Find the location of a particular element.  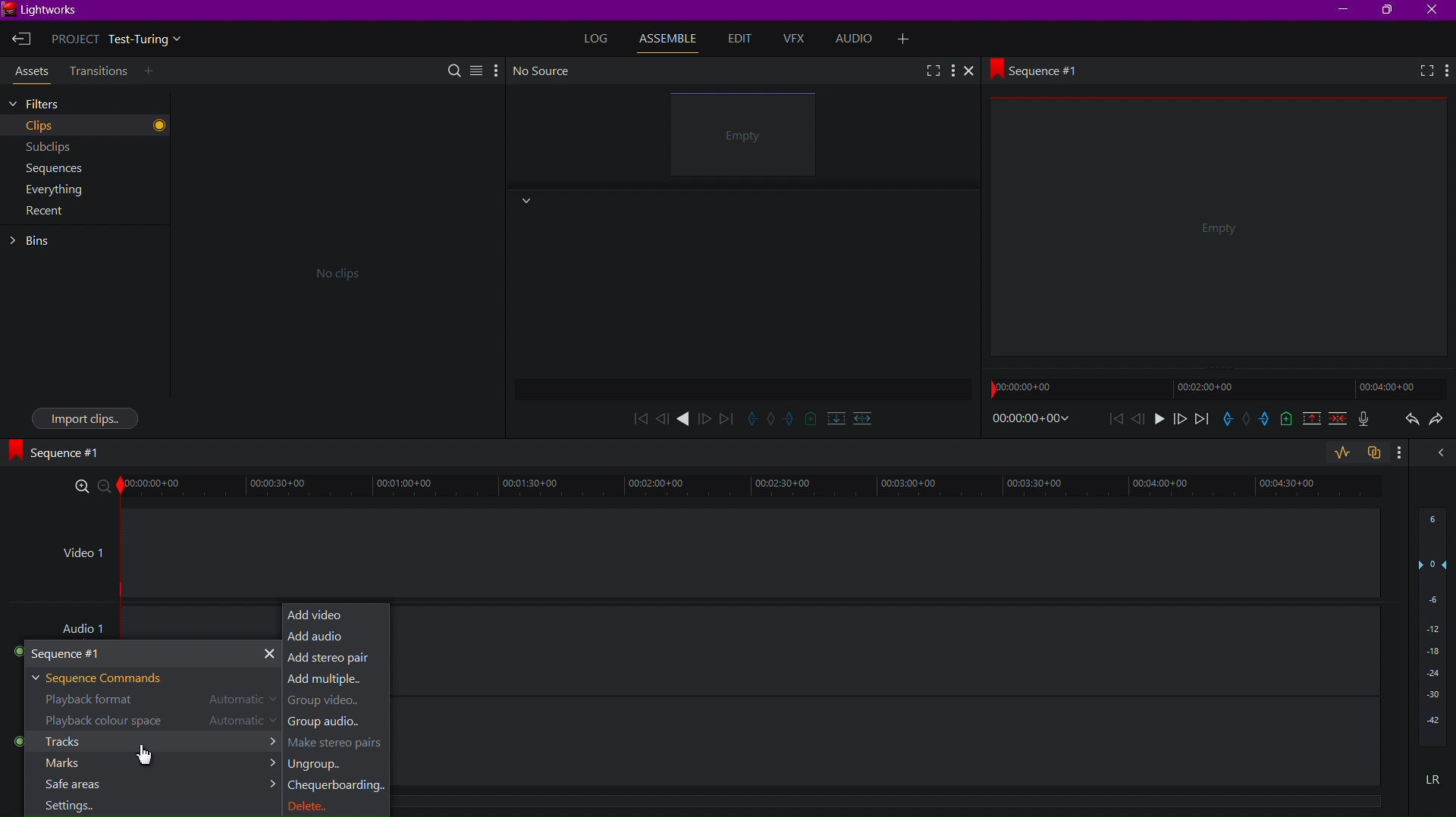

Redo is located at coordinates (1441, 422).